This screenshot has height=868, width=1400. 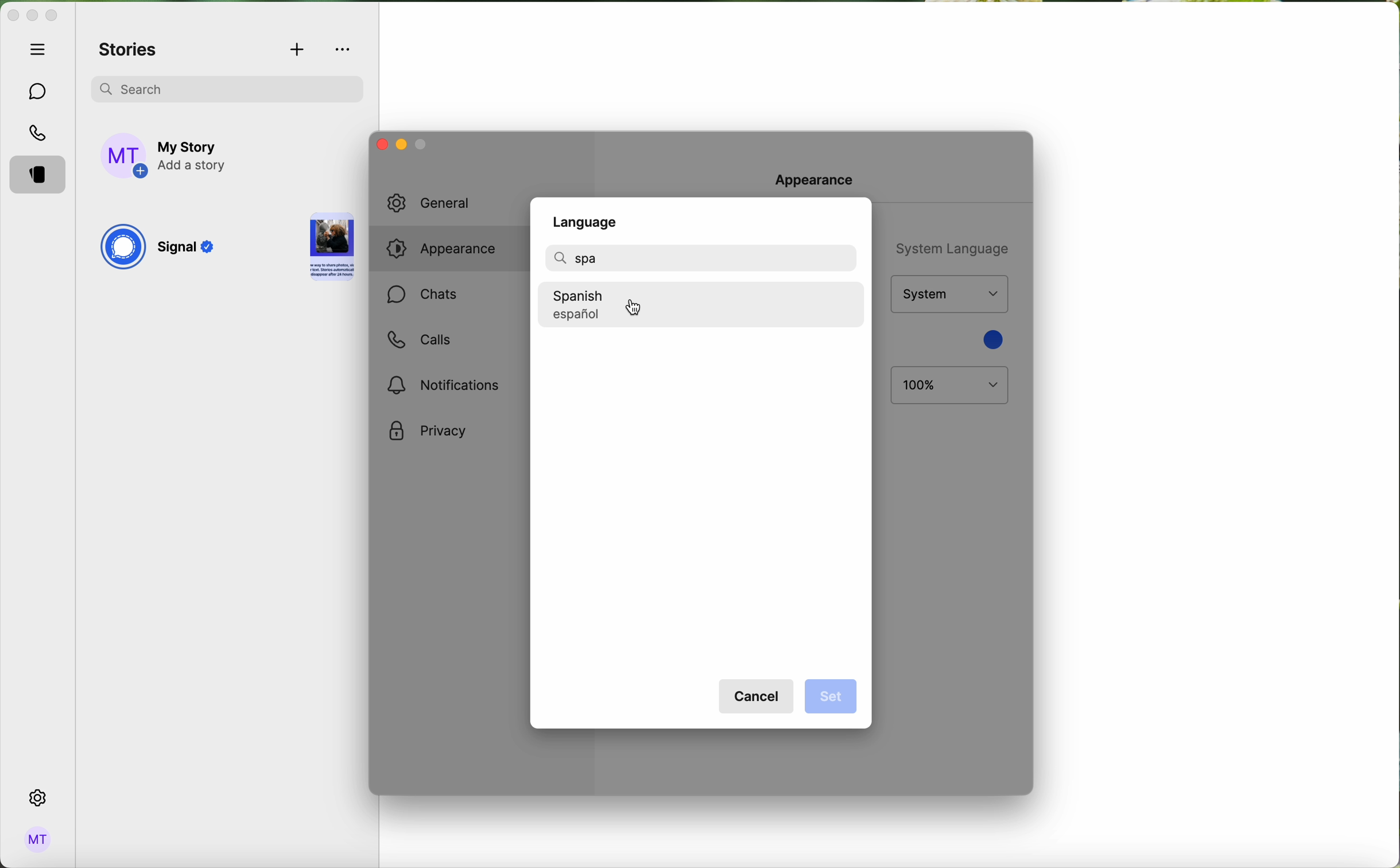 What do you see at coordinates (948, 294) in the screenshot?
I see `theme options` at bounding box center [948, 294].